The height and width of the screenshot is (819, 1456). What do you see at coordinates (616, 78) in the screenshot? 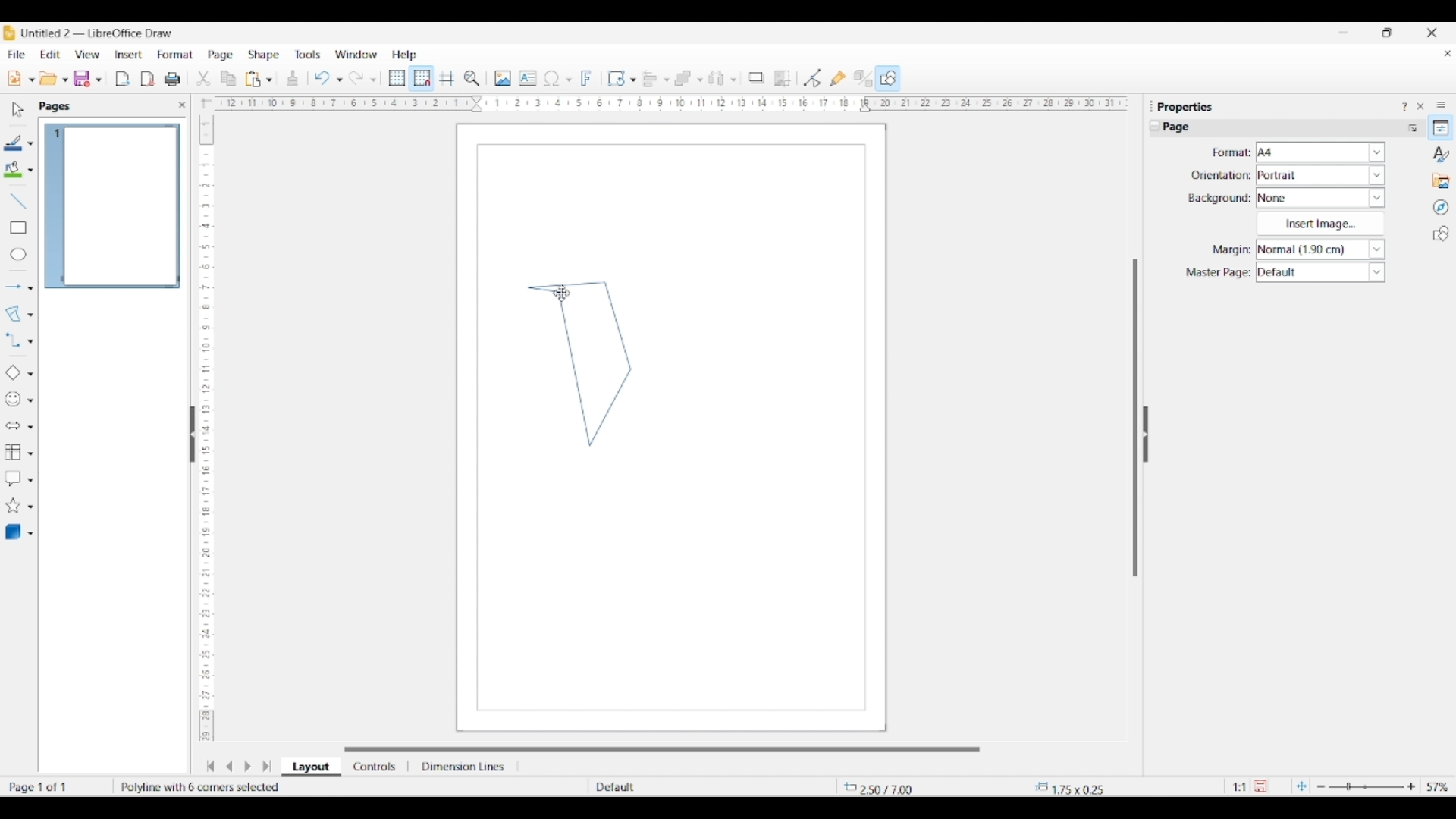
I see `Selected transformation` at bounding box center [616, 78].